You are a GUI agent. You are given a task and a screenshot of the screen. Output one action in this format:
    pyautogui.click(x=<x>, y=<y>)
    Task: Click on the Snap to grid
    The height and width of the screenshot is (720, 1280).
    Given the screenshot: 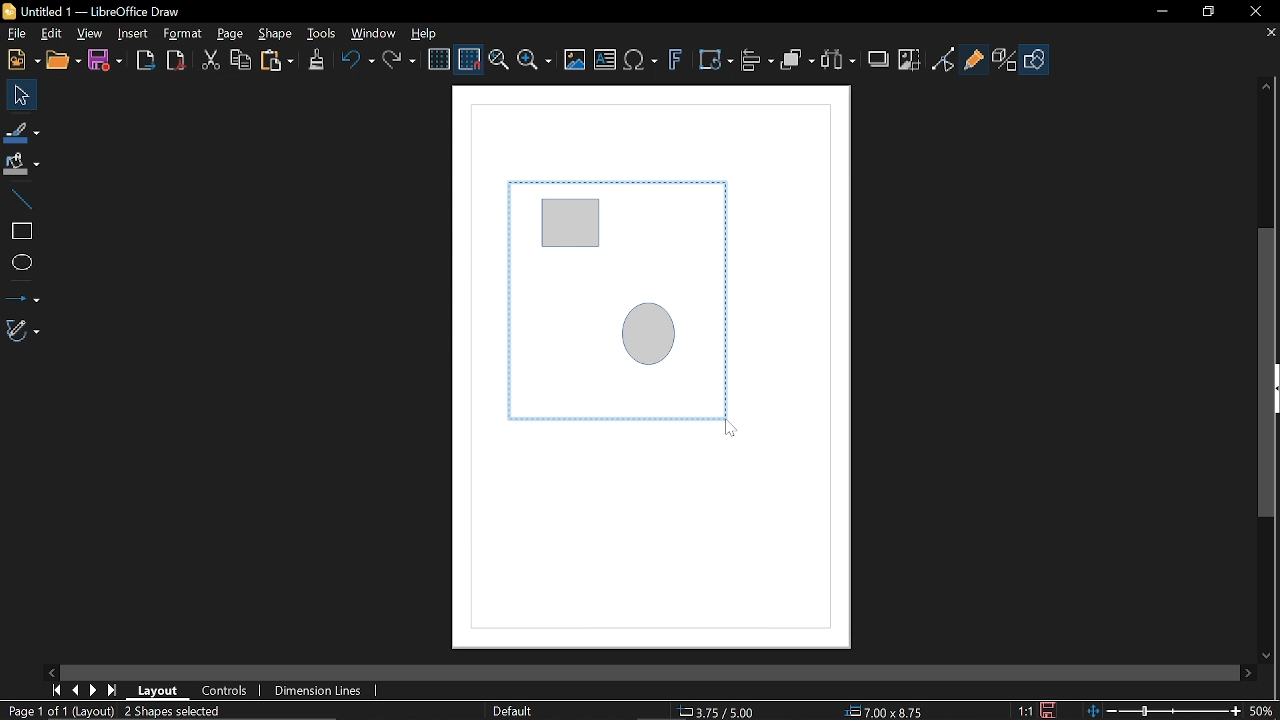 What is the action you would take?
    pyautogui.click(x=470, y=59)
    